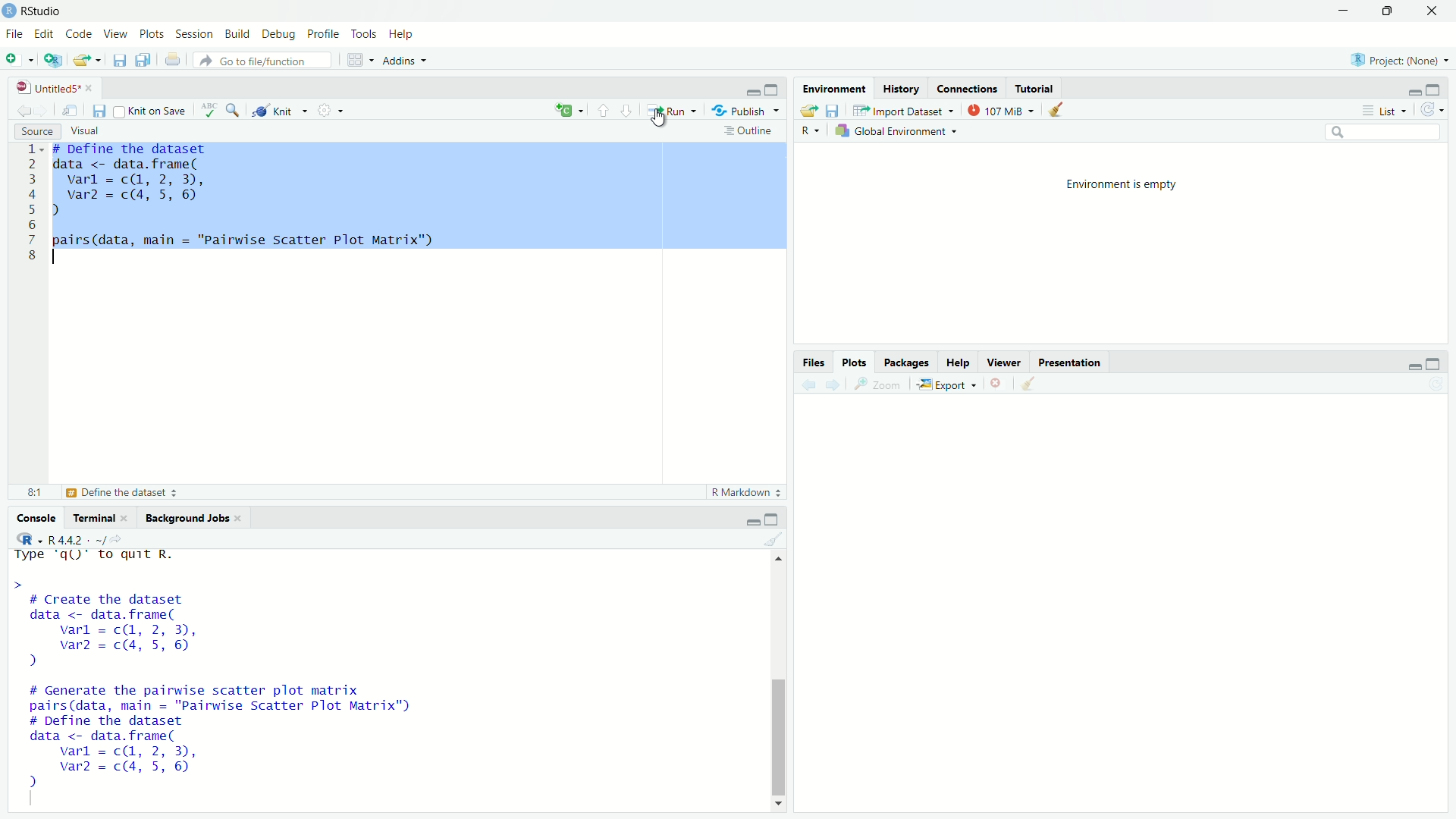 The height and width of the screenshot is (819, 1456). I want to click on List, so click(1385, 110).